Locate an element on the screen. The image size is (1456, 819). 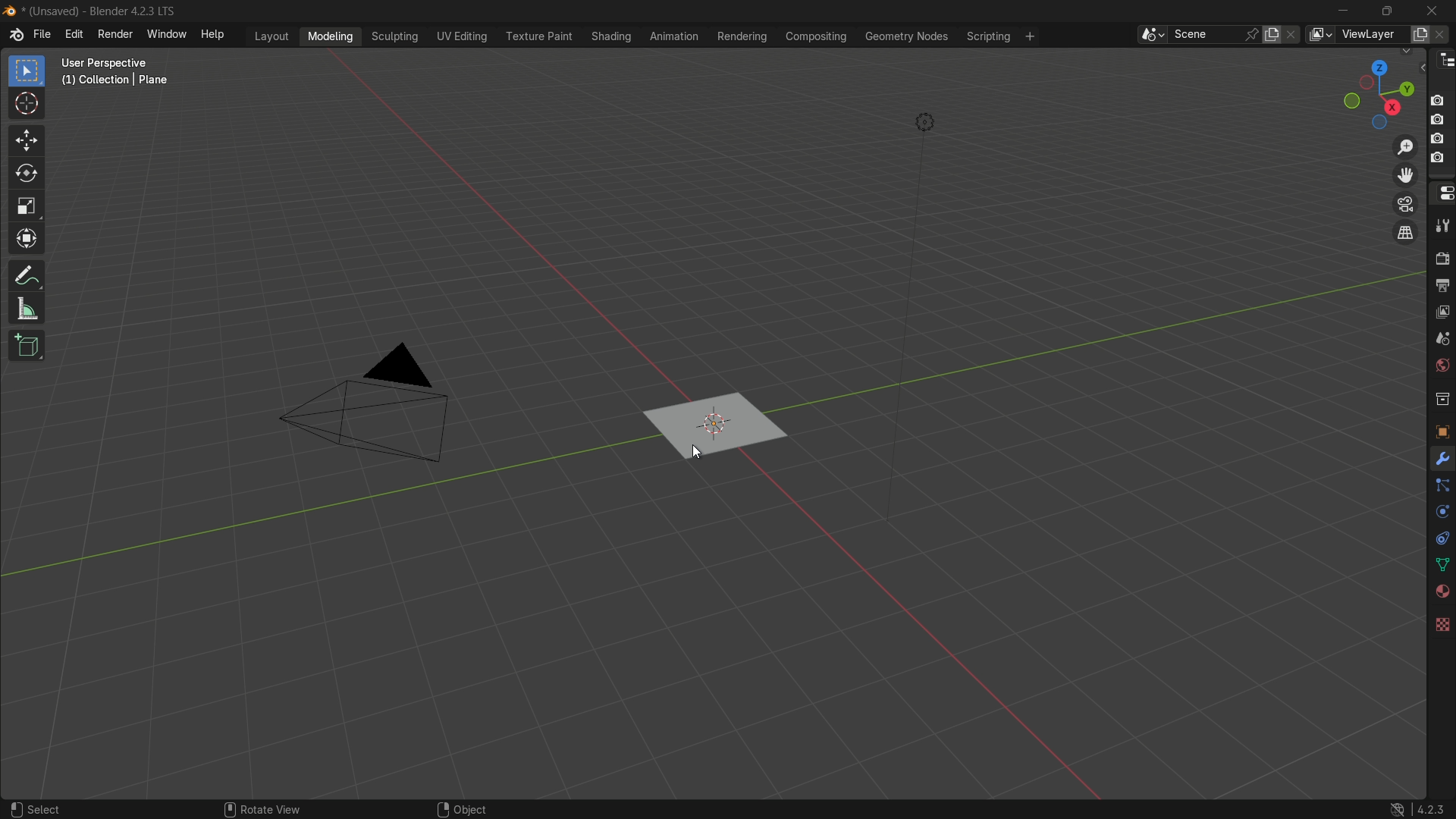
capture is located at coordinates (1438, 118).